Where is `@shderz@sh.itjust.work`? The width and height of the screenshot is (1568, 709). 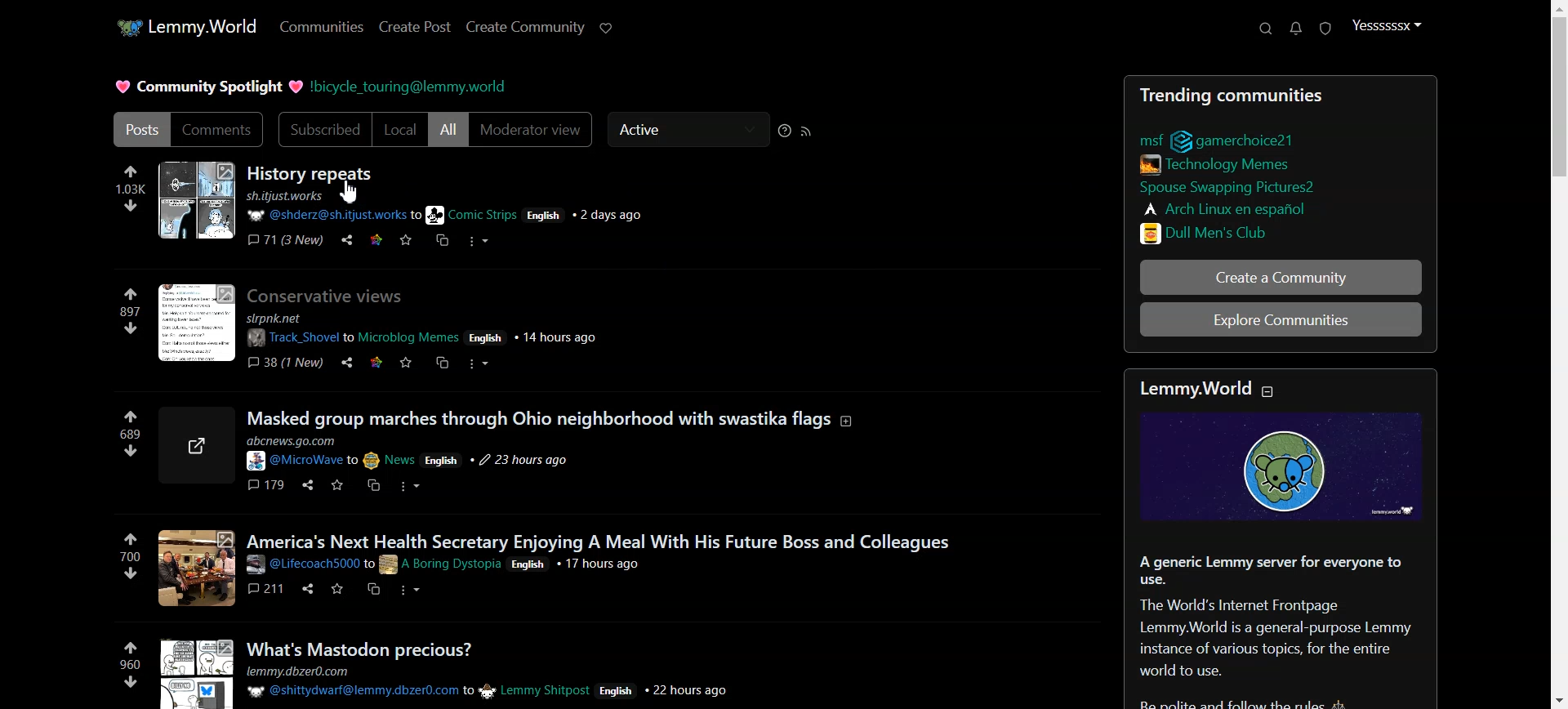 @shderz@sh.itjust.work is located at coordinates (324, 216).